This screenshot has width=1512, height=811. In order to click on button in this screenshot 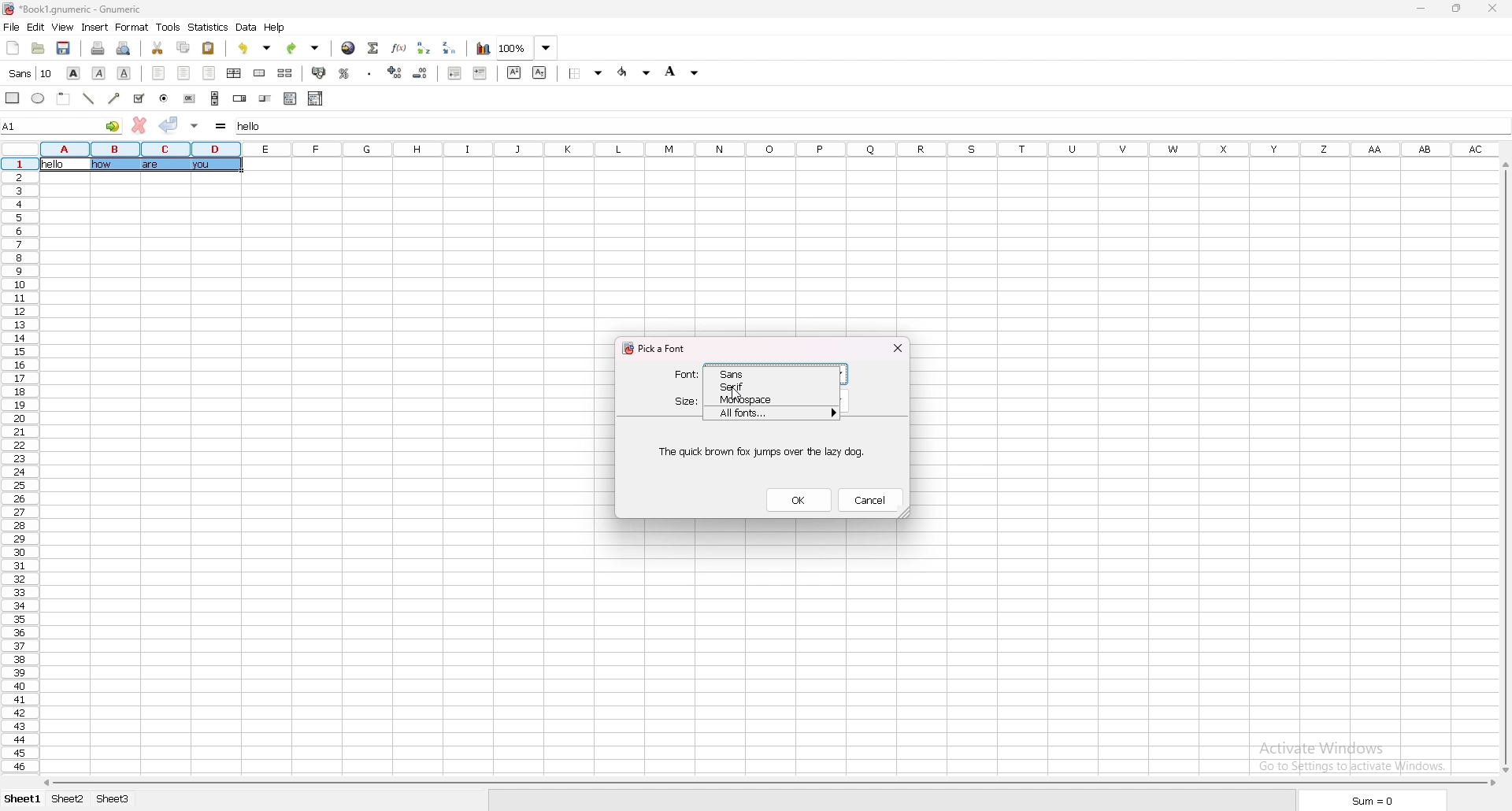, I will do `click(190, 98)`.